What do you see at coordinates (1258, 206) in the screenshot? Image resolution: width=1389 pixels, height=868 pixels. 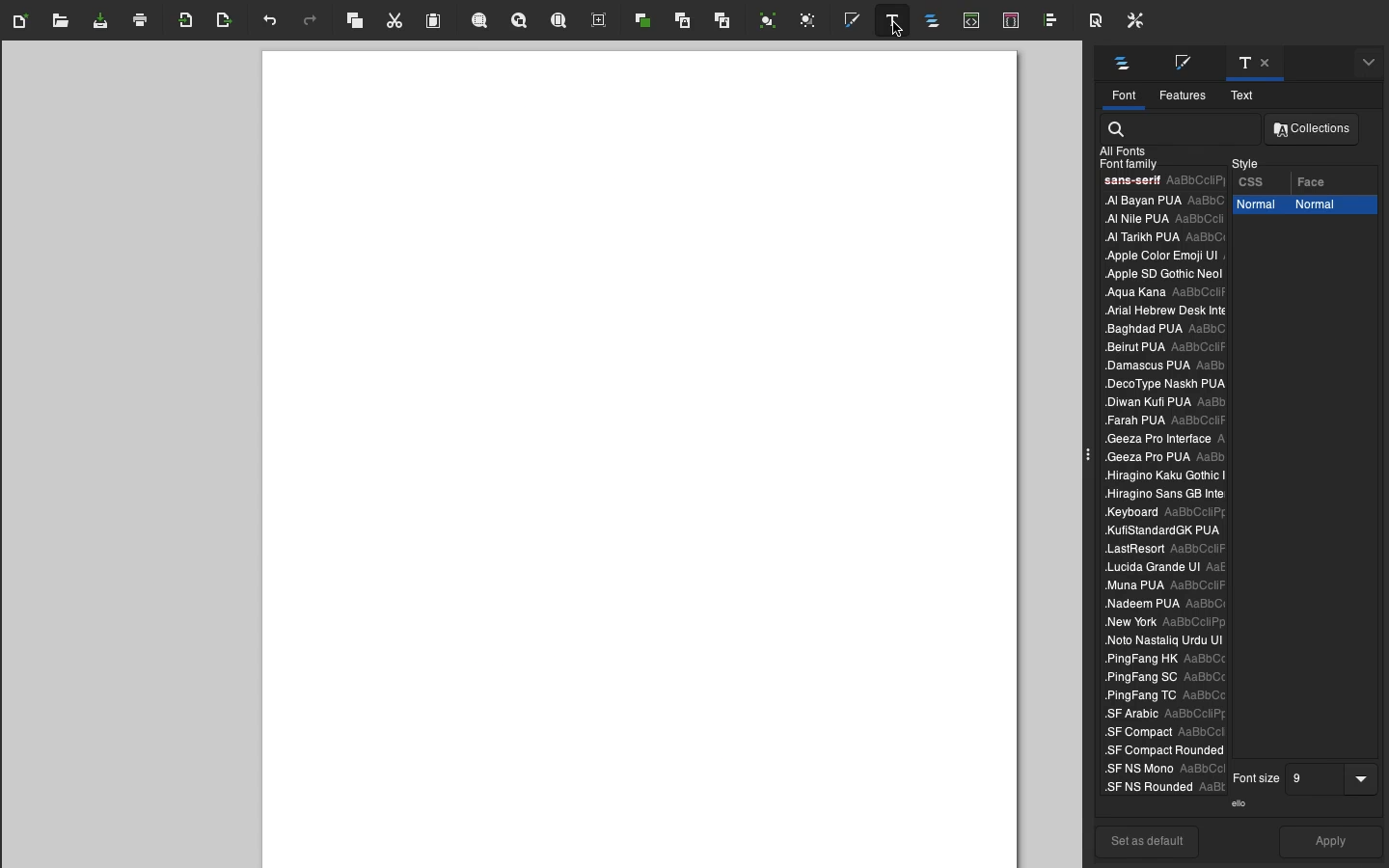 I see `Normal` at bounding box center [1258, 206].